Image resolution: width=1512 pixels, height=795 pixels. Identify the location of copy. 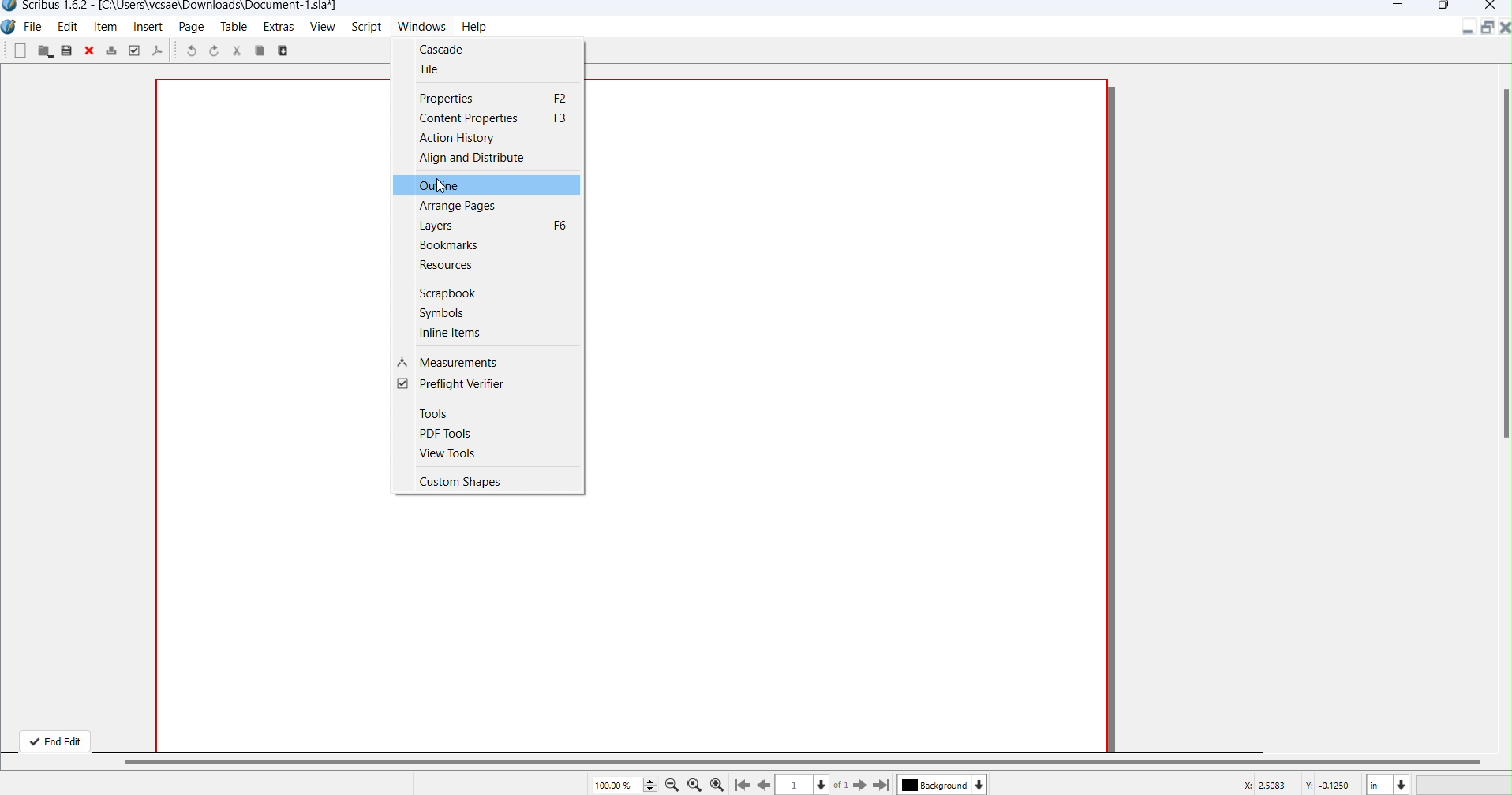
(289, 51).